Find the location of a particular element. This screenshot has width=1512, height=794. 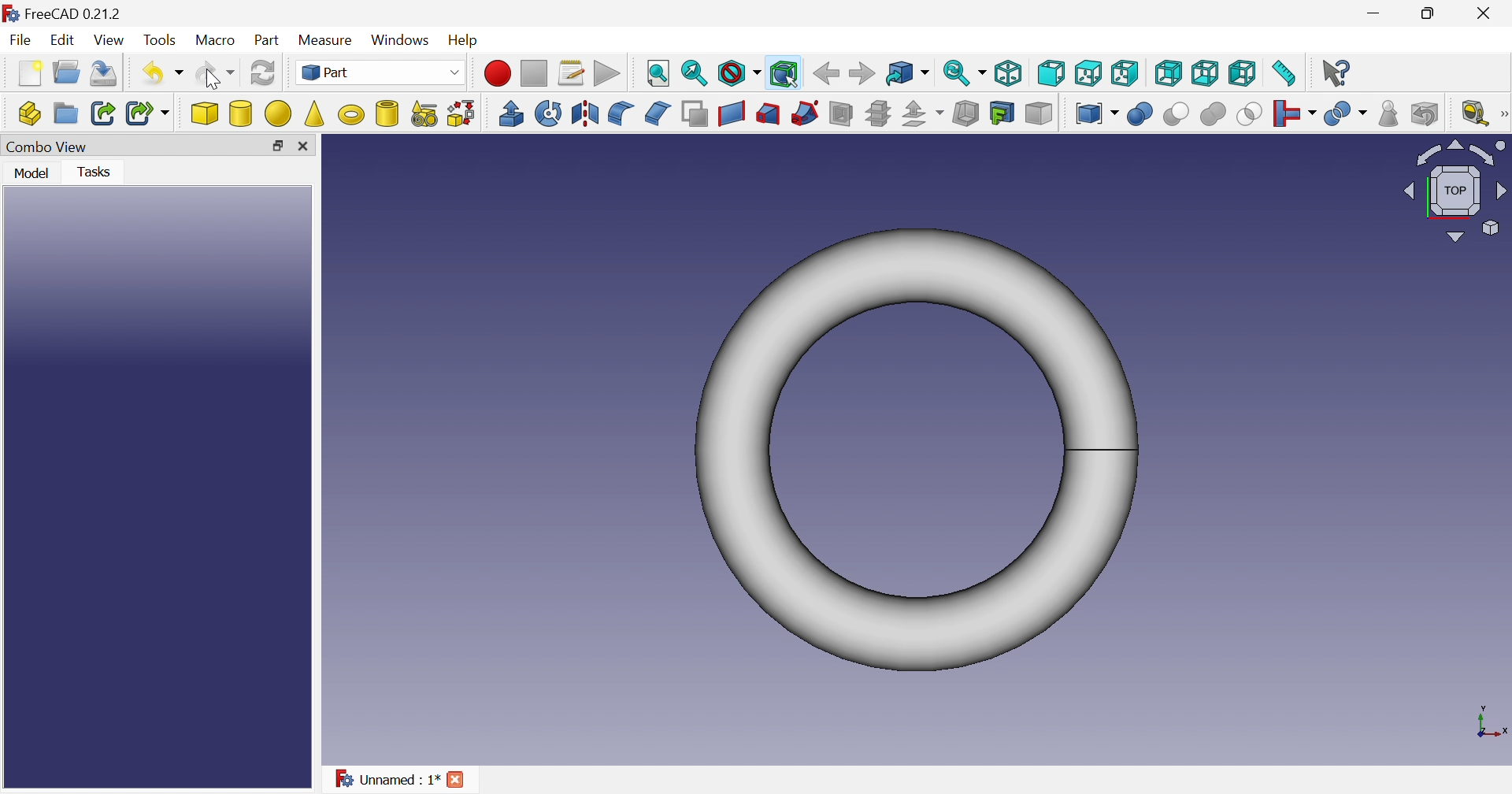

Join objects... is located at coordinates (1295, 113).